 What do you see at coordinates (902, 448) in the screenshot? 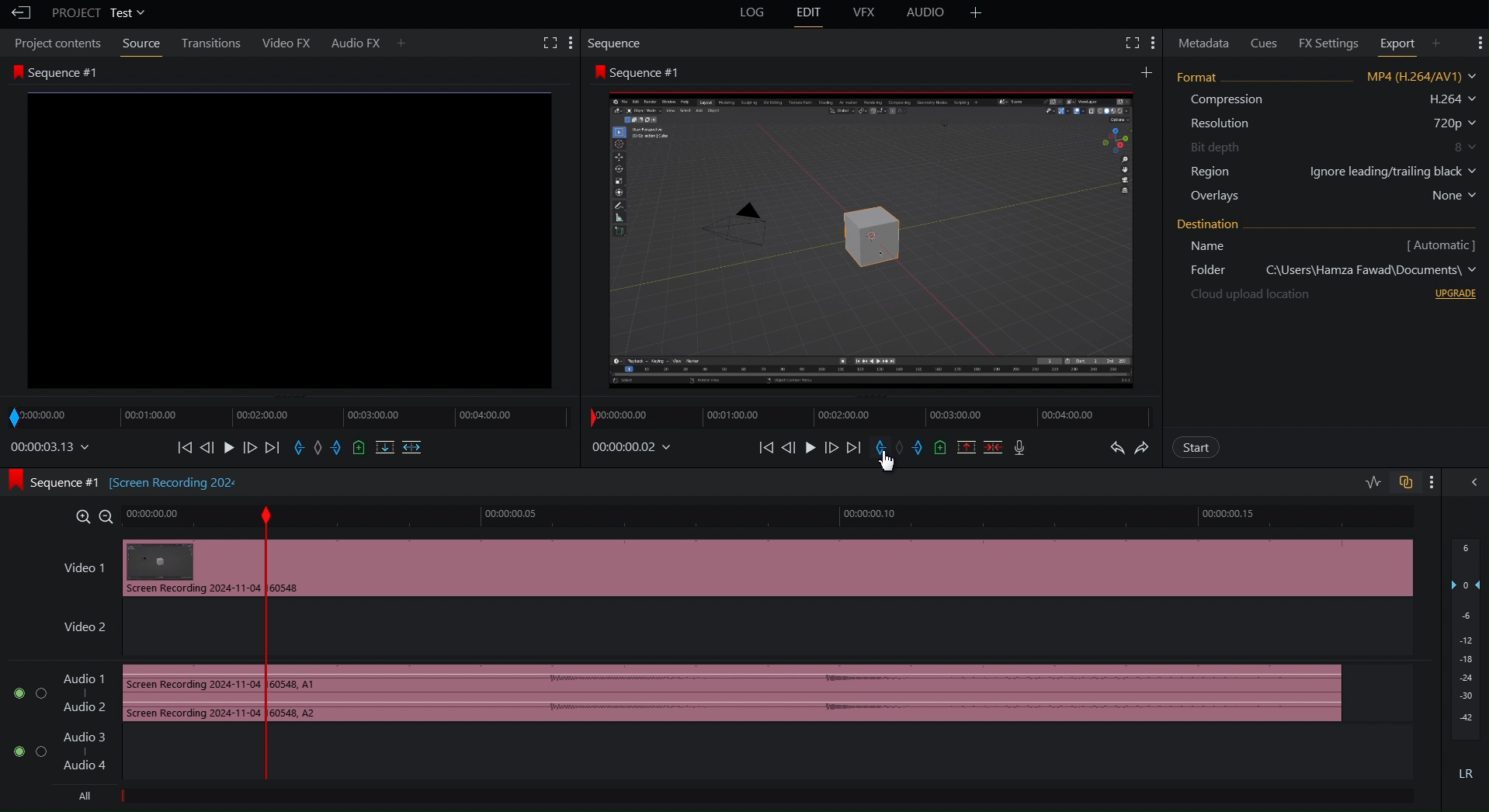
I see `Remove Marker` at bounding box center [902, 448].